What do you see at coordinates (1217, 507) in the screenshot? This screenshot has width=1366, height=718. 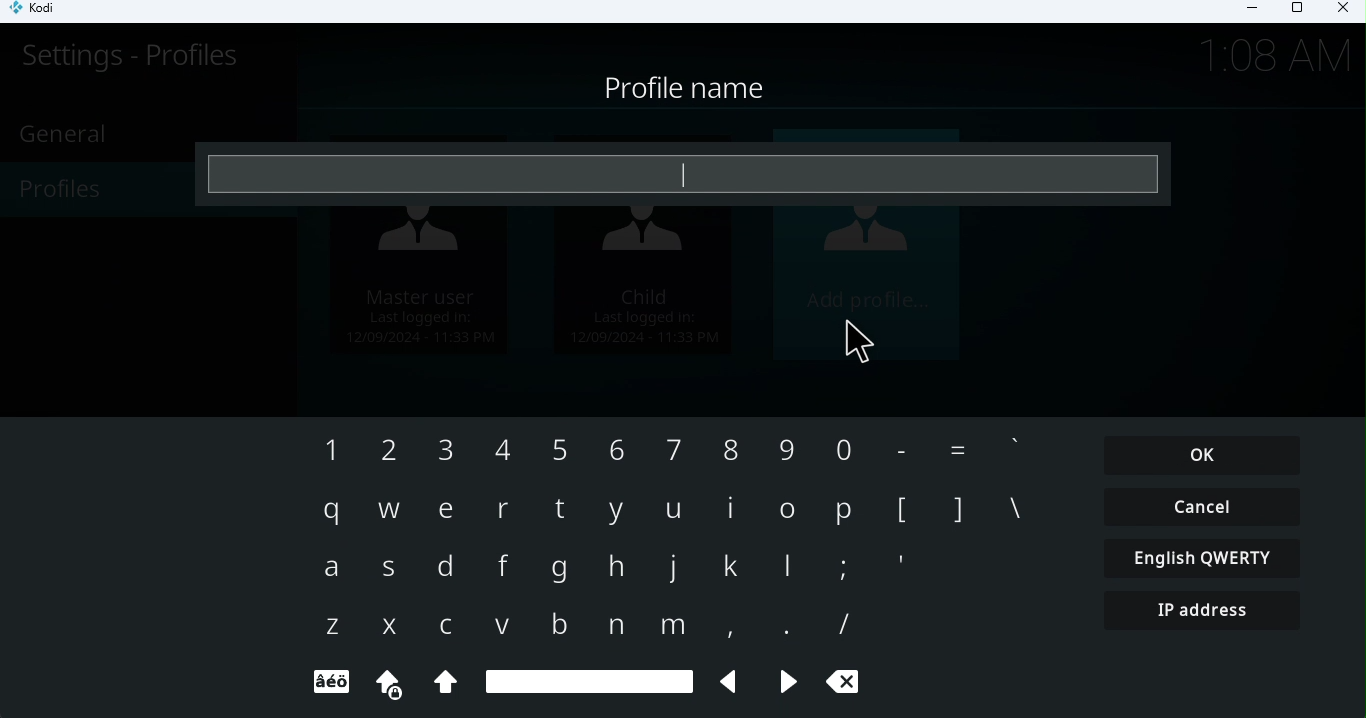 I see `cancel` at bounding box center [1217, 507].